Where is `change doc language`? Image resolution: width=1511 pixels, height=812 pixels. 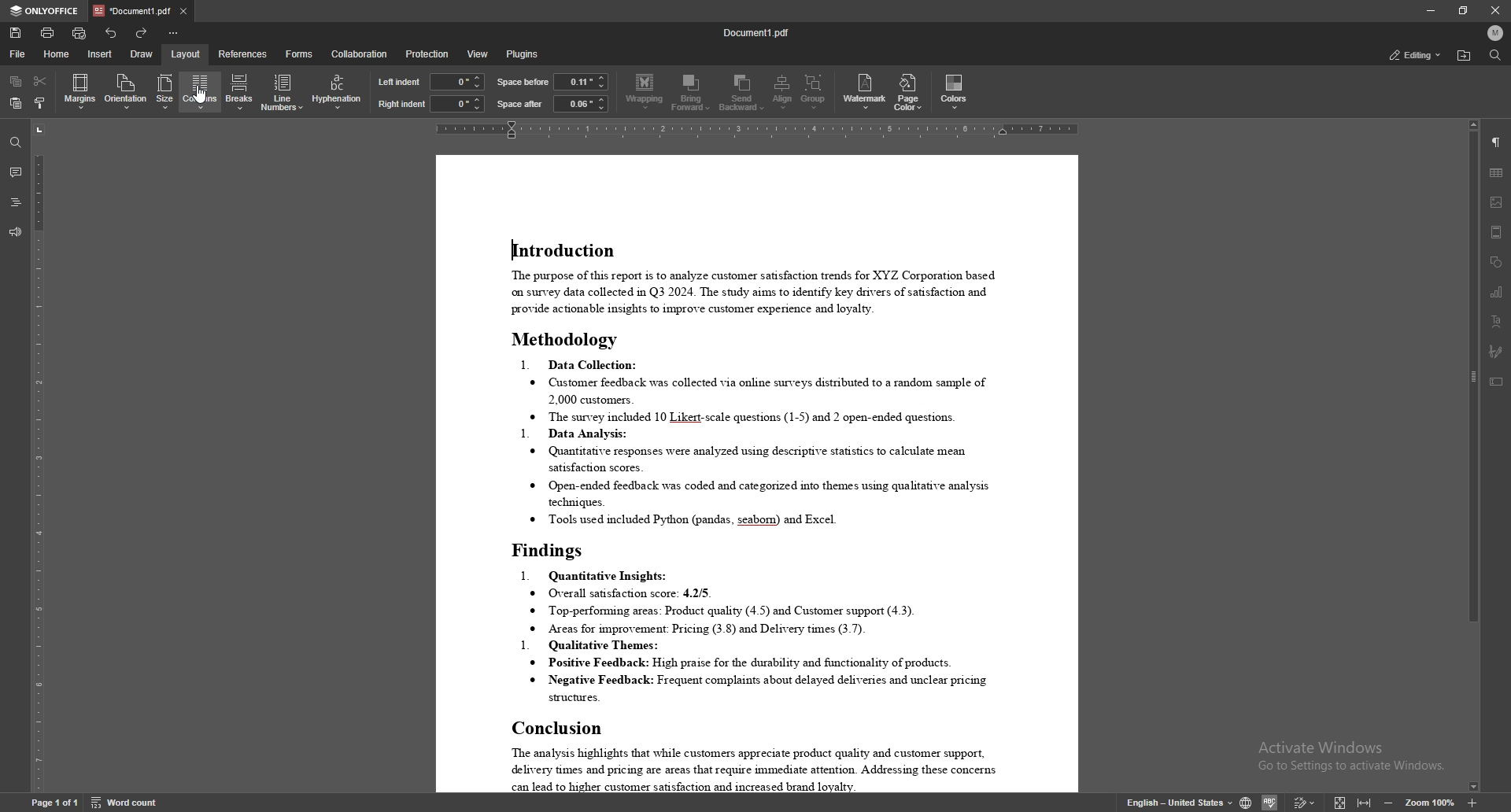 change doc language is located at coordinates (1245, 800).